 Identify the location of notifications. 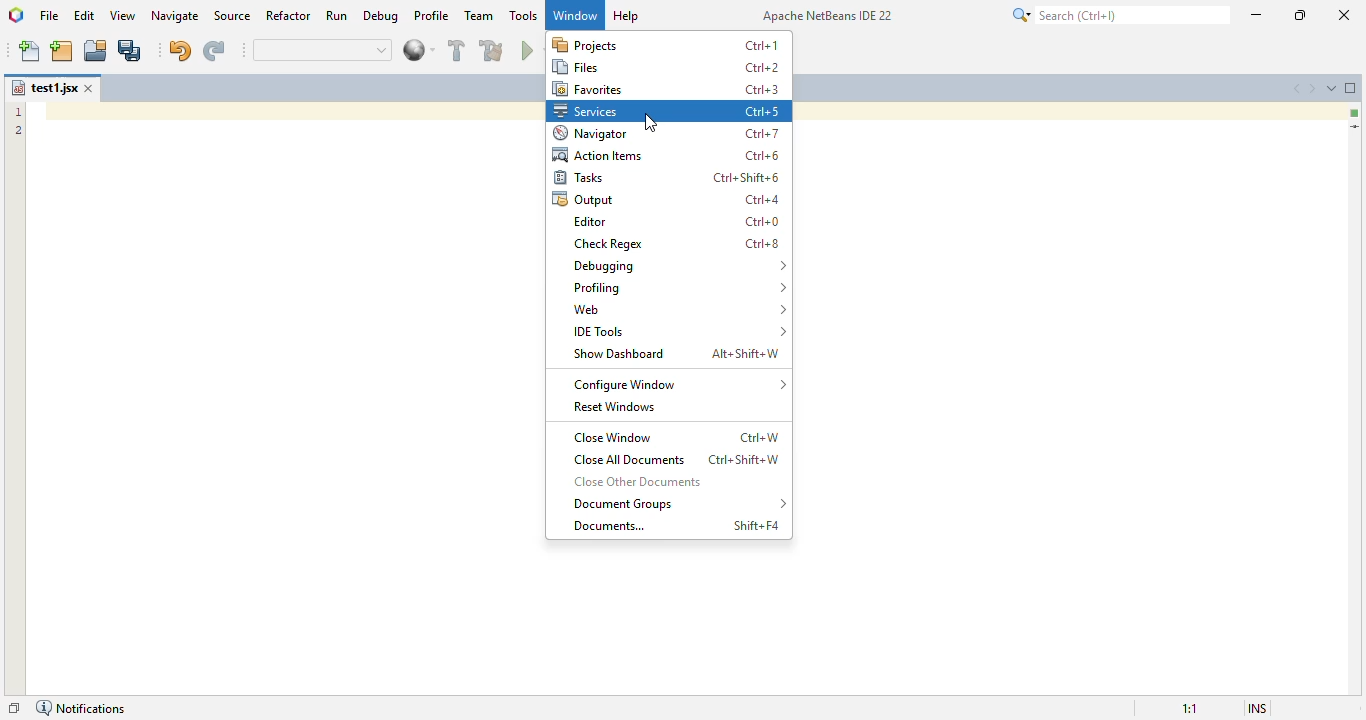
(82, 708).